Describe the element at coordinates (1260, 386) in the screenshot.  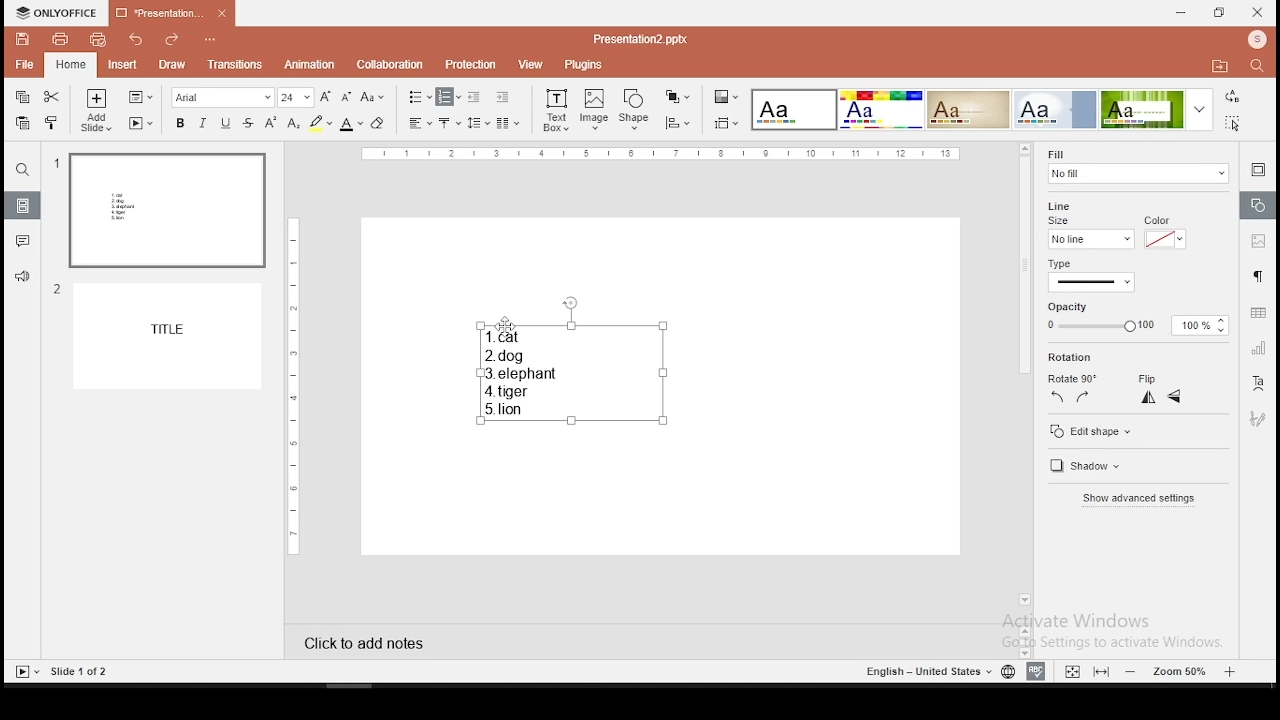
I see `text art tool` at that location.